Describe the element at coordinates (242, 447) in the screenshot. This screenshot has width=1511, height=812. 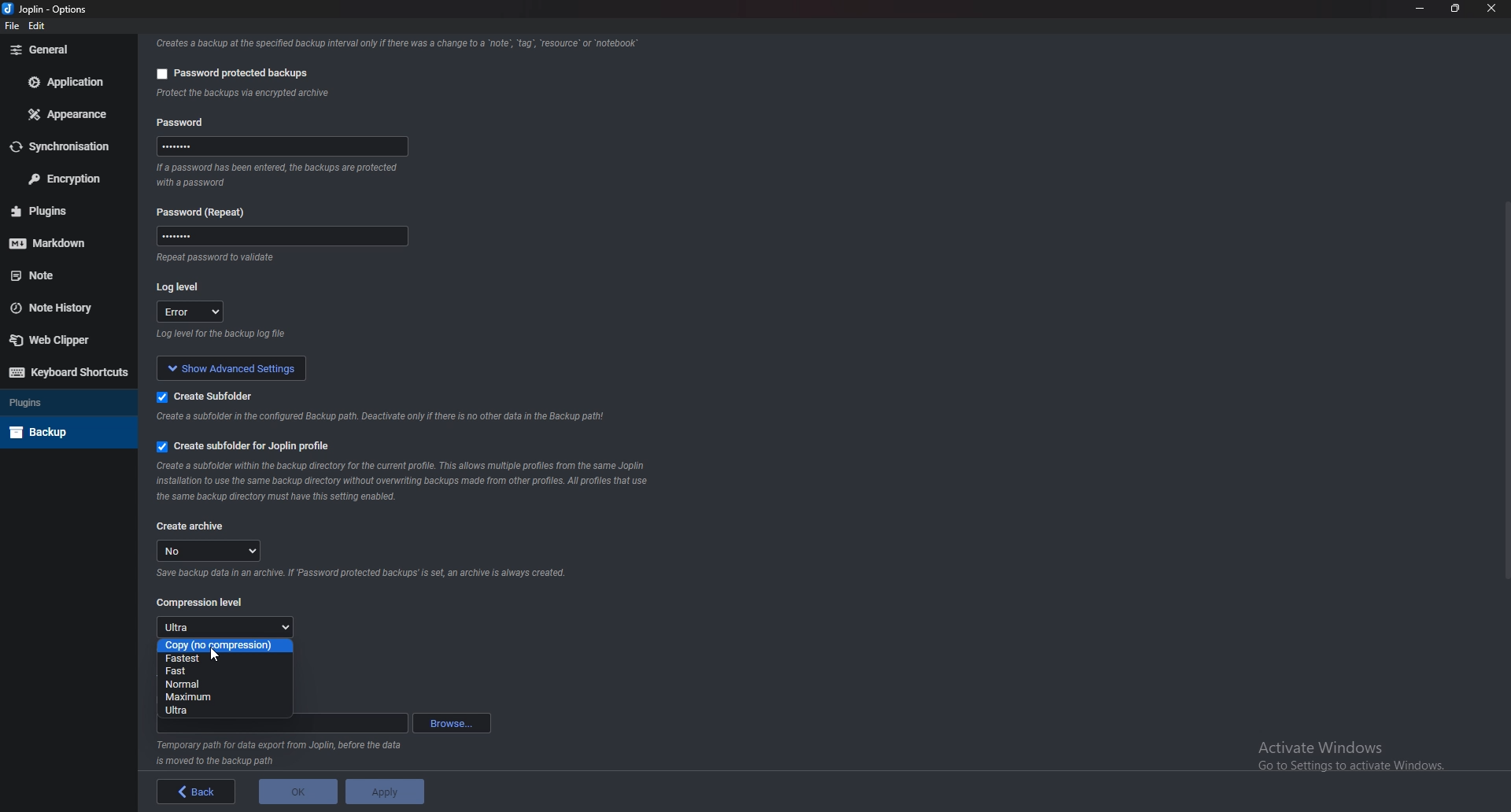
I see `Create sub folder for Joplin profile` at that location.